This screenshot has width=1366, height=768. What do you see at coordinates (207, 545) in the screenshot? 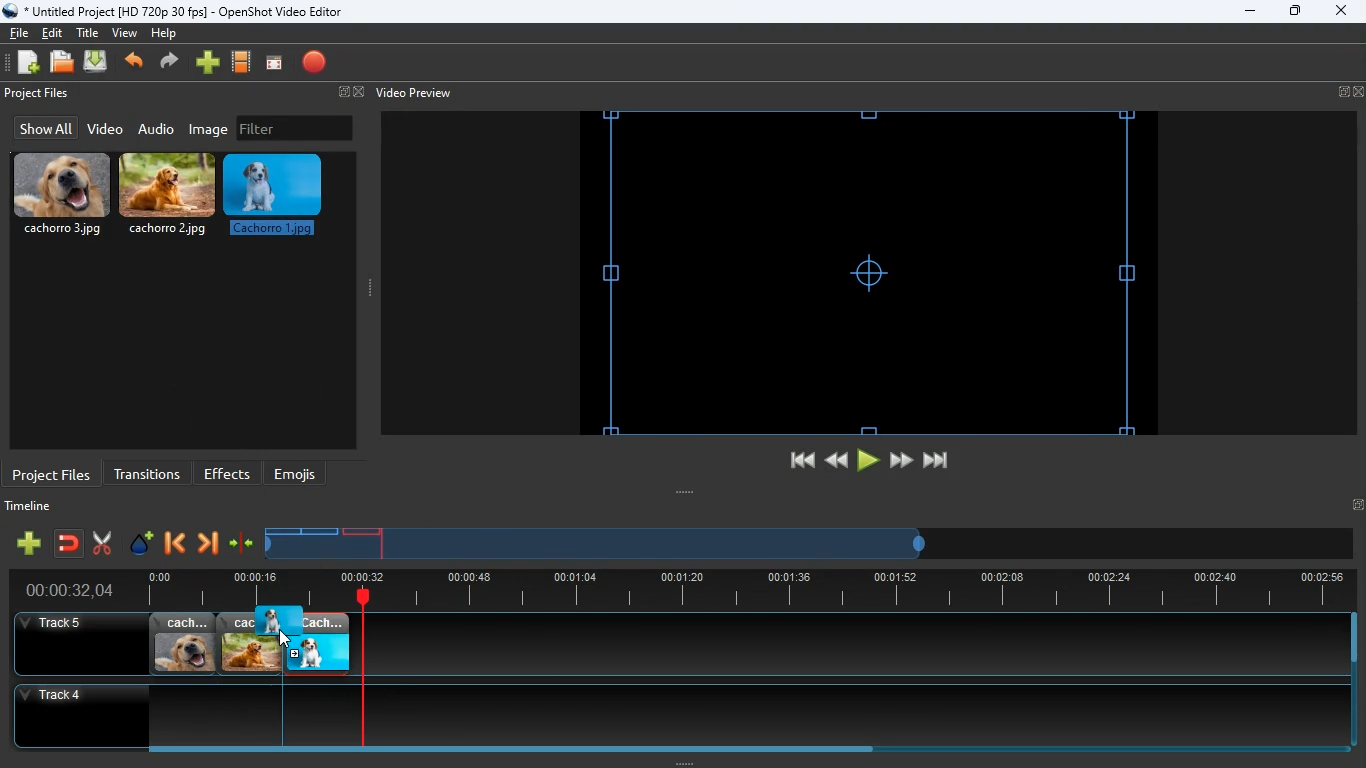
I see `forward` at bounding box center [207, 545].